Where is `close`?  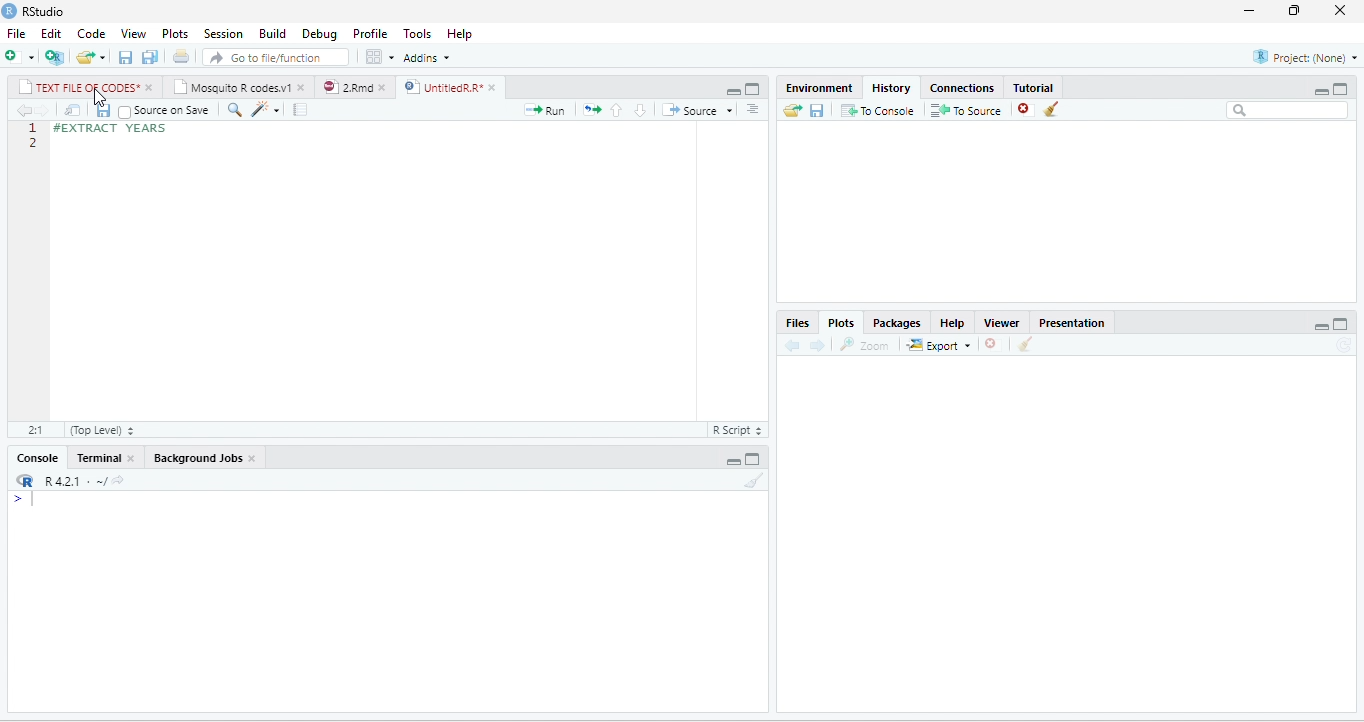 close is located at coordinates (253, 458).